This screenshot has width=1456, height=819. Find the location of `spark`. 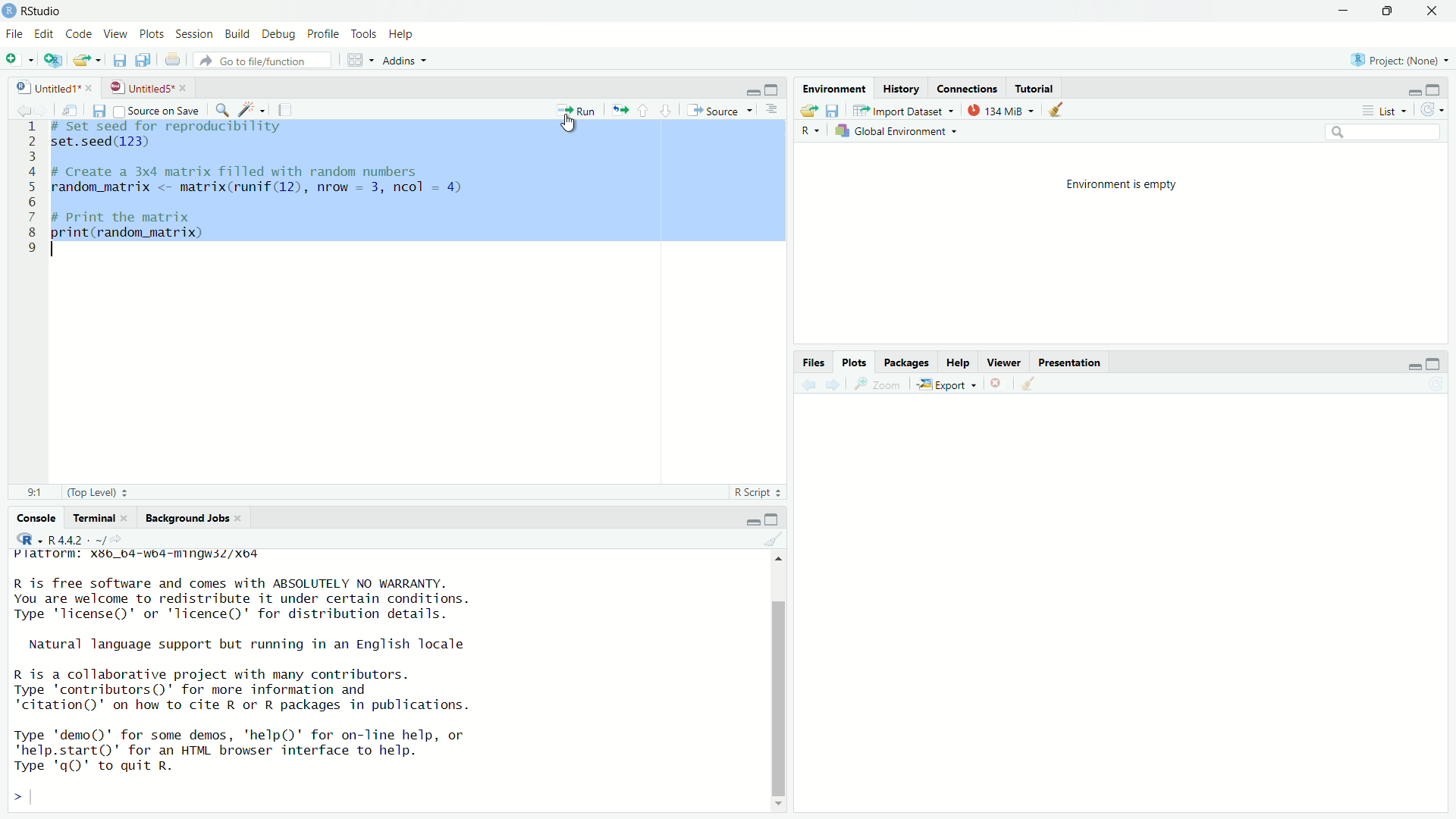

spark is located at coordinates (250, 108).